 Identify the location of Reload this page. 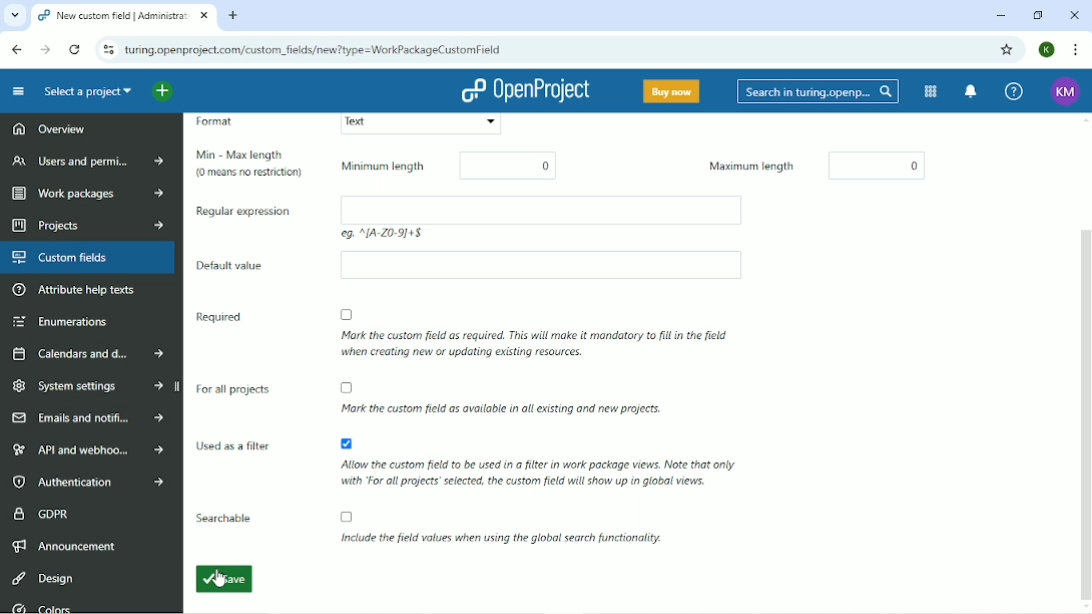
(76, 49).